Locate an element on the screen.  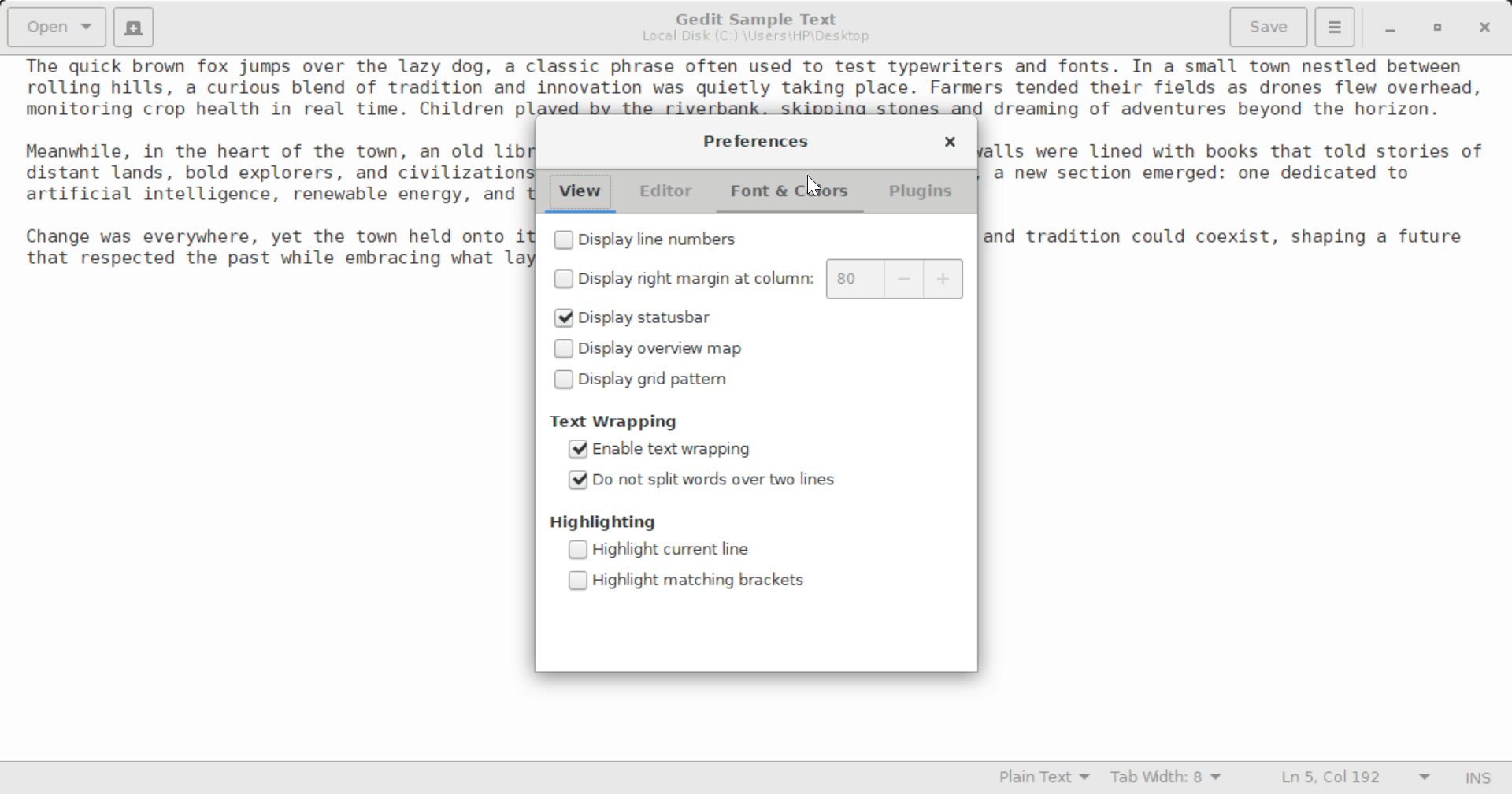
Close Window is located at coordinates (1483, 28).